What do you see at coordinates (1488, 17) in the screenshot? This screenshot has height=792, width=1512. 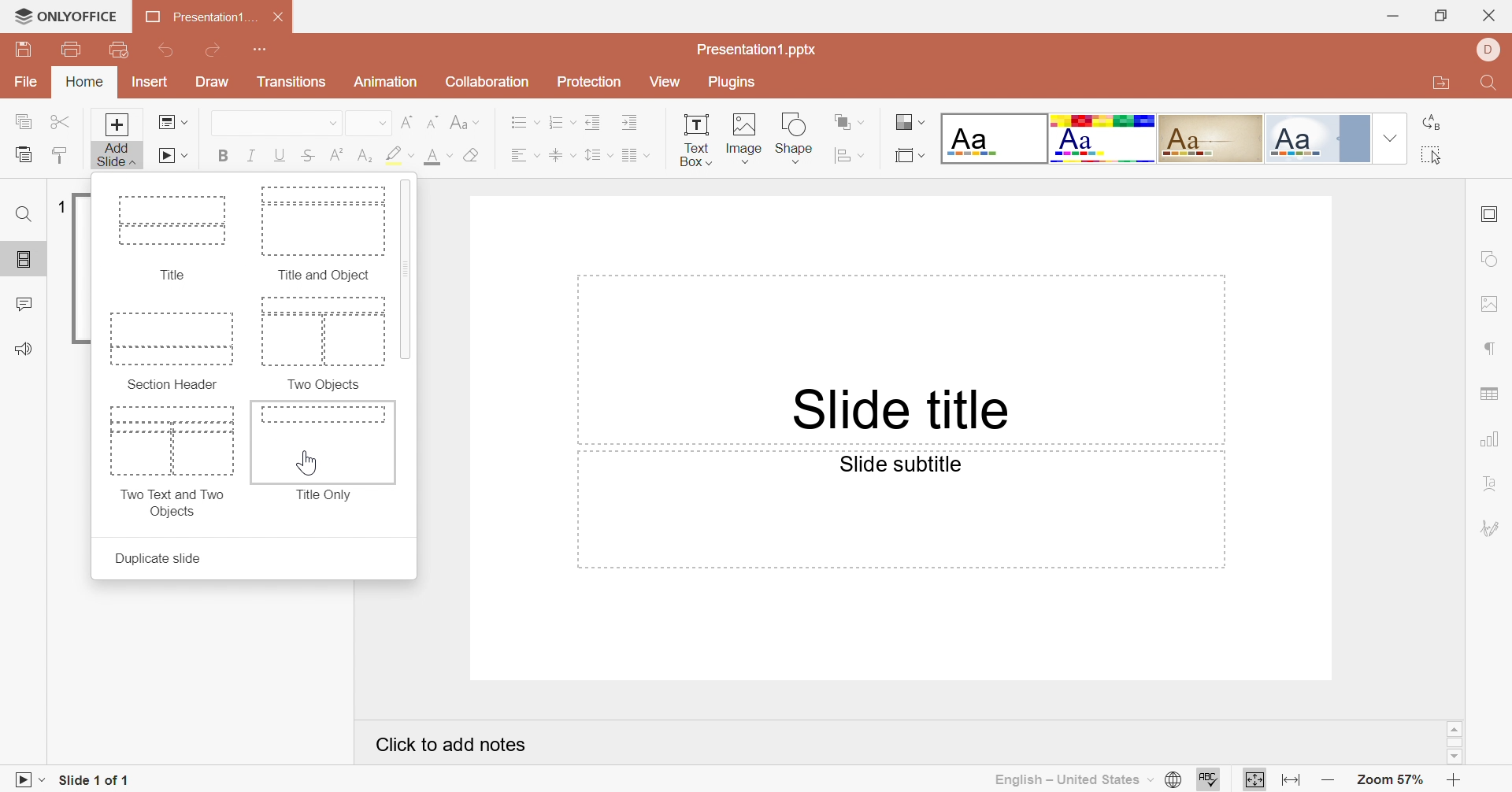 I see `close` at bounding box center [1488, 17].